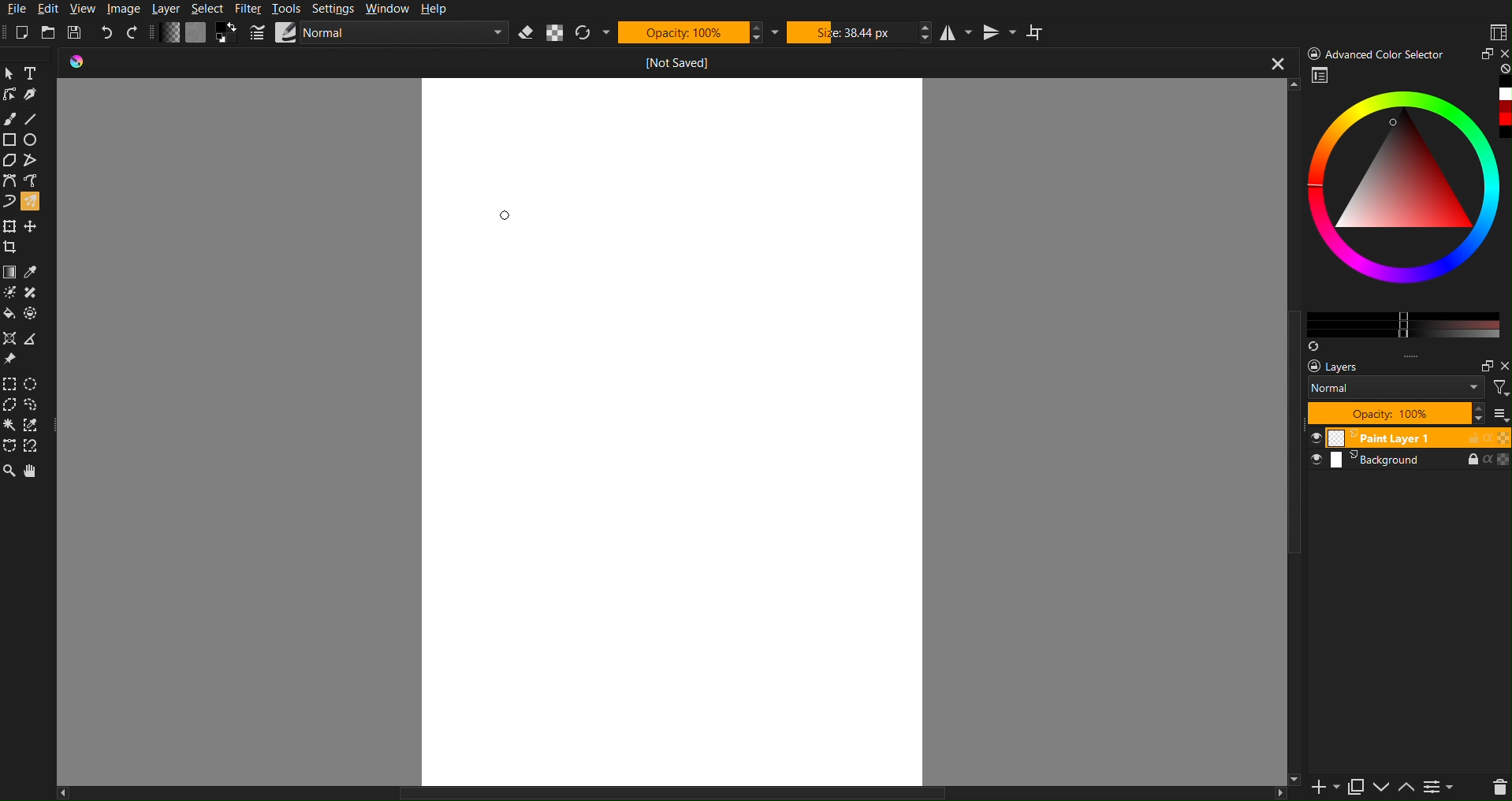  What do you see at coordinates (9, 382) in the screenshot?
I see `Rectangular selection Tool` at bounding box center [9, 382].